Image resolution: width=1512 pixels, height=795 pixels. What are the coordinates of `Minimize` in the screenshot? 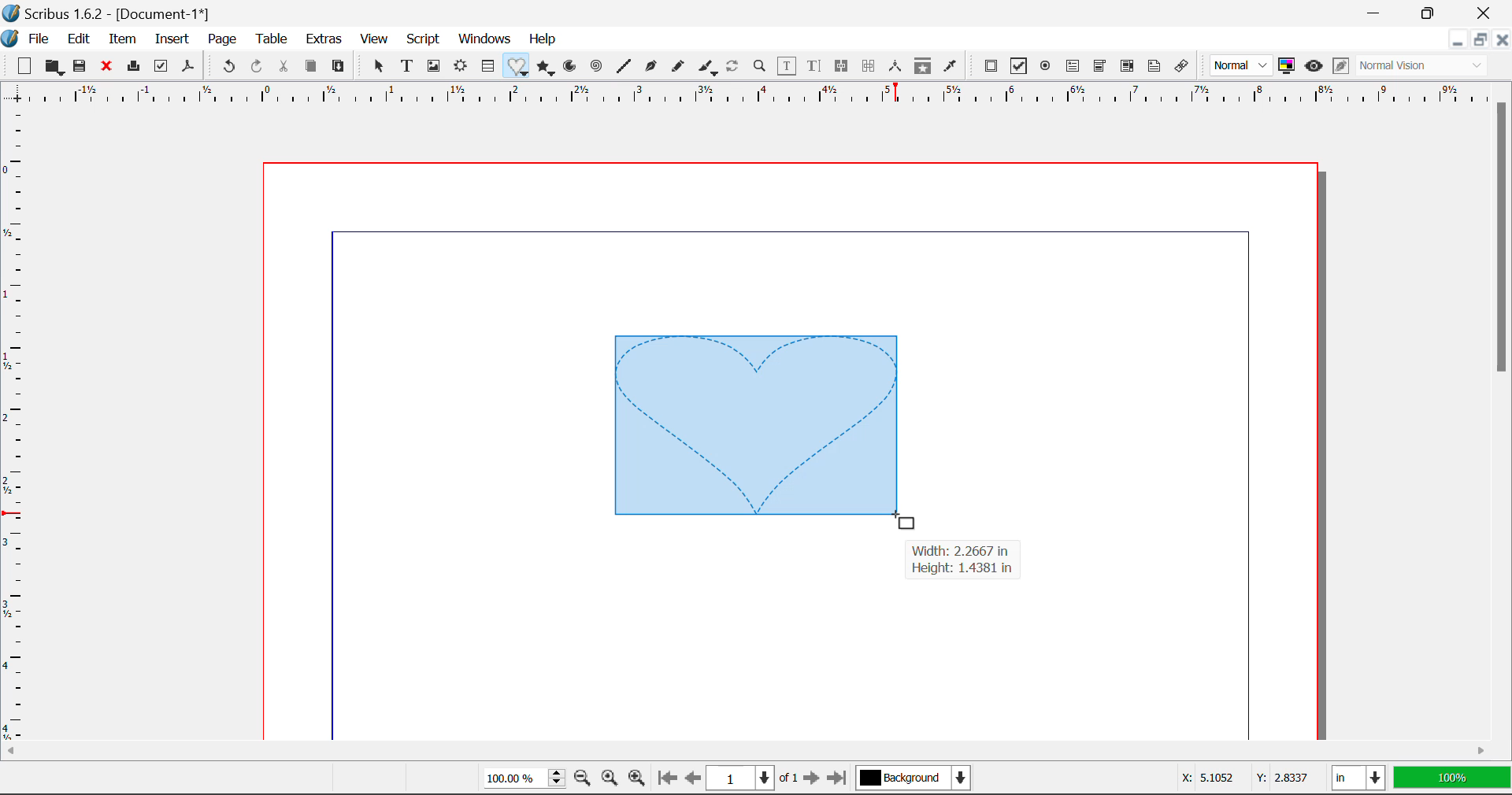 It's located at (1436, 13).